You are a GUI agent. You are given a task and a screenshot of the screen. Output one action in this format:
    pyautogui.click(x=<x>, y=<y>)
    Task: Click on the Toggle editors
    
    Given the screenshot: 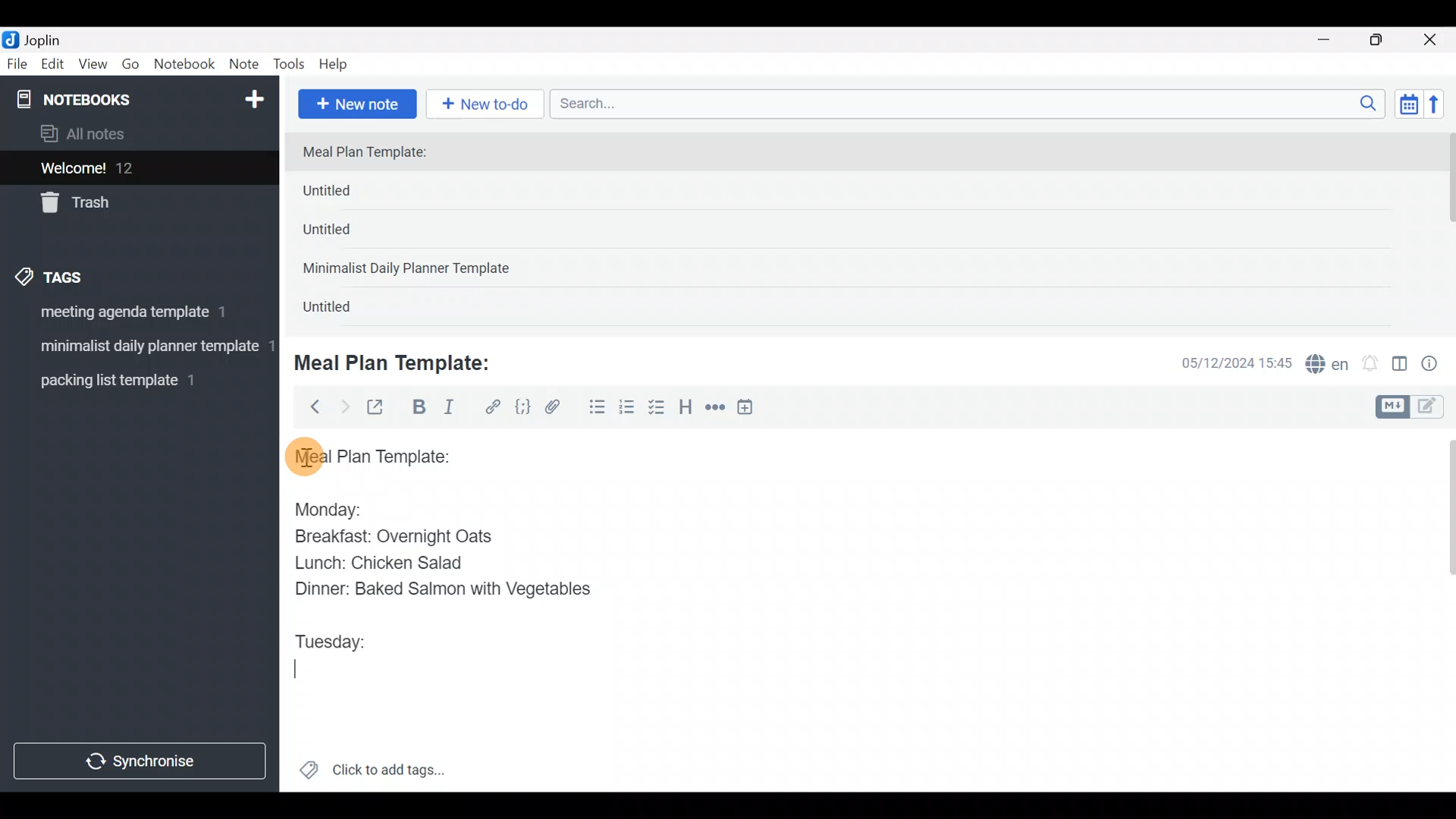 What is the action you would take?
    pyautogui.click(x=1414, y=405)
    